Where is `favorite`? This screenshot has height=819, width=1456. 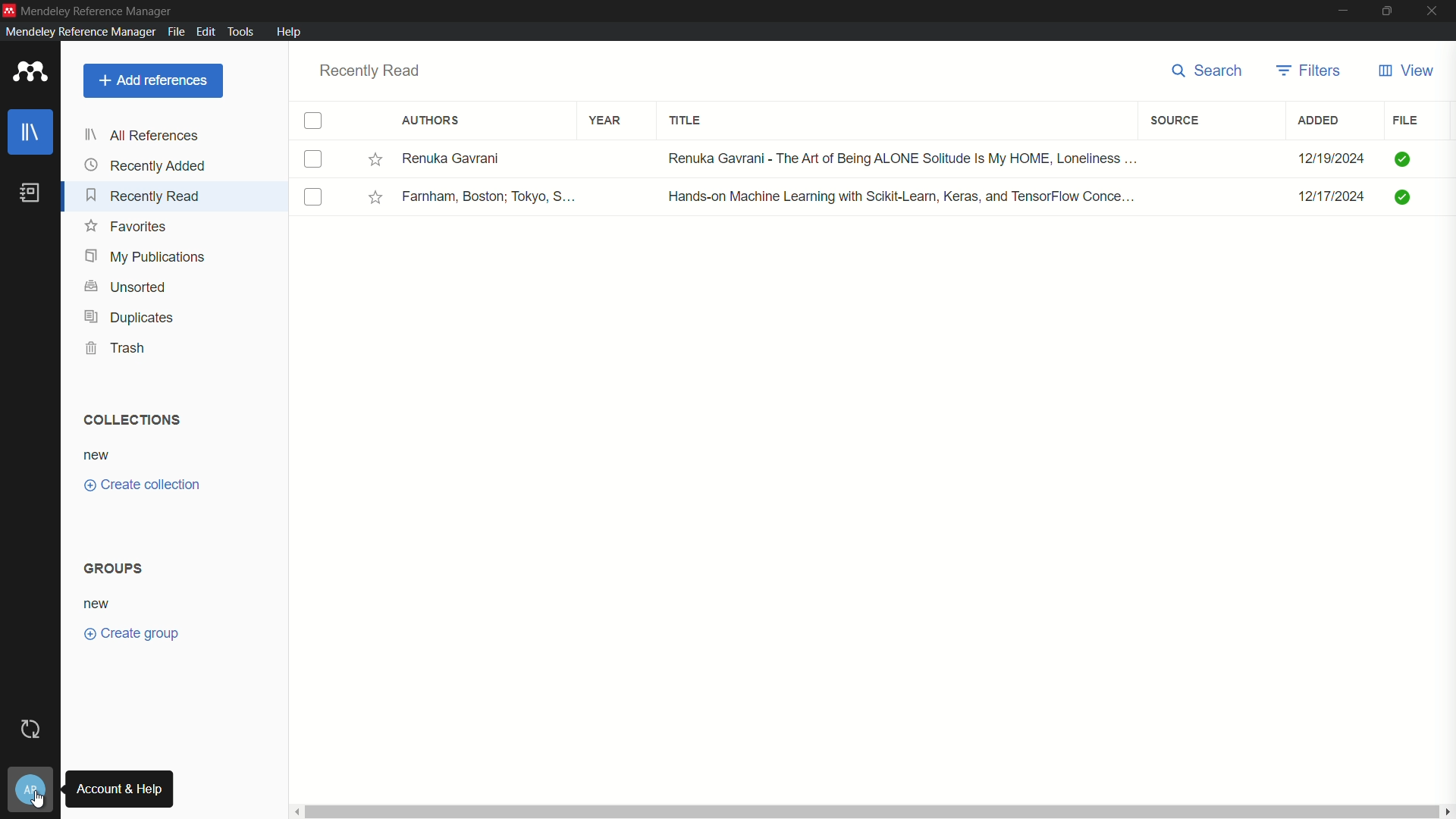 favorite is located at coordinates (128, 226).